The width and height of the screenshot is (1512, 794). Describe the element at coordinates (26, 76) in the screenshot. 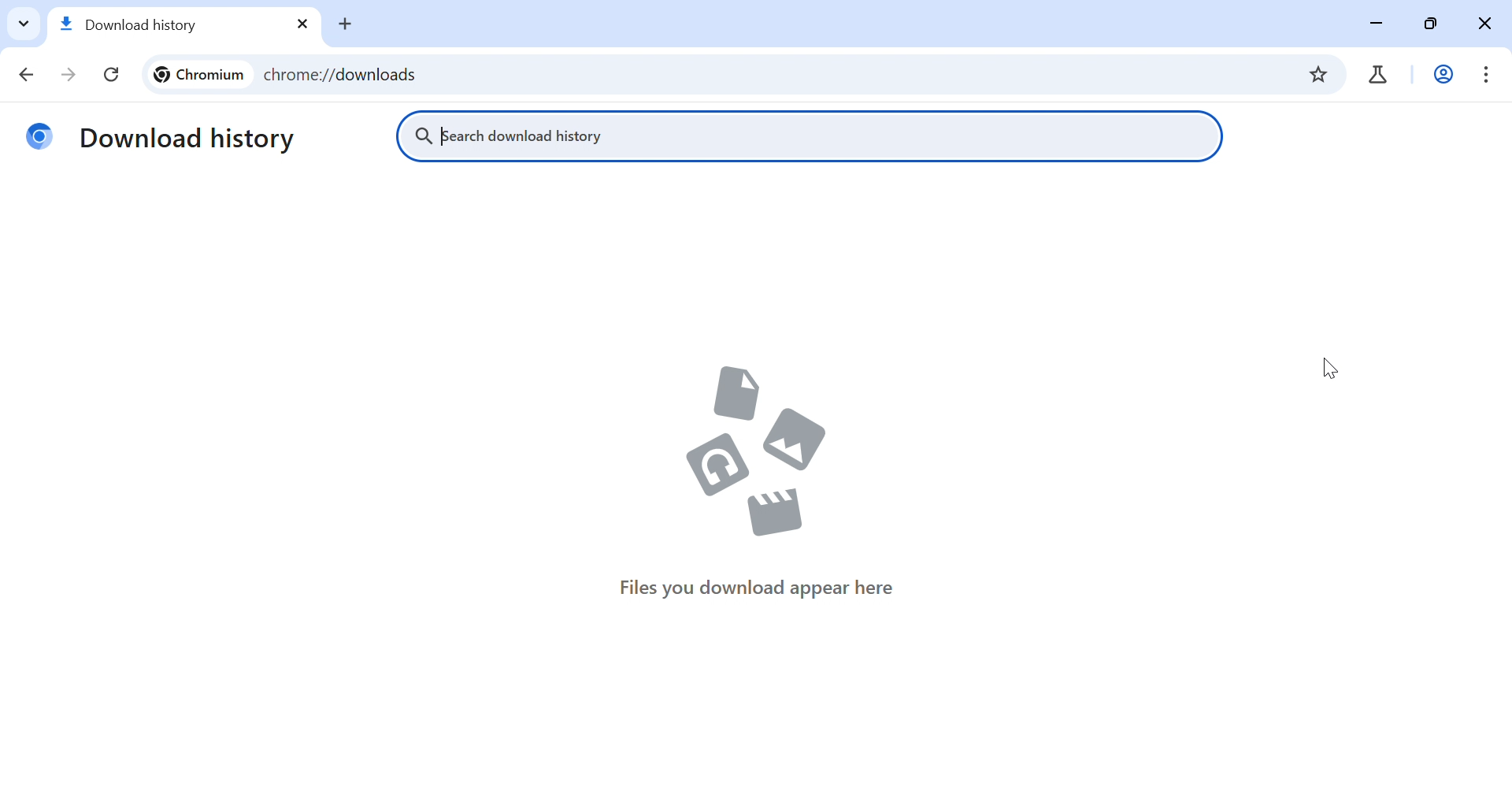

I see `Back` at that location.